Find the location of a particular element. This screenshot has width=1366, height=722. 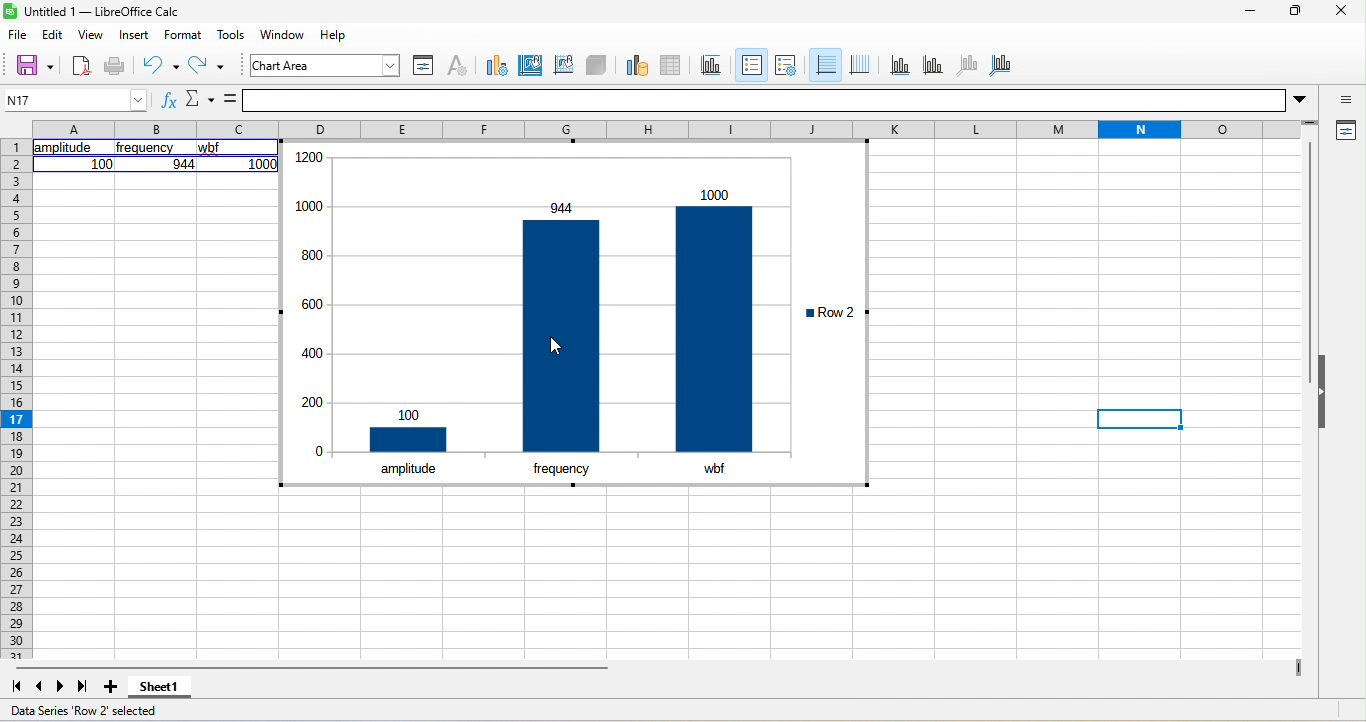

redo is located at coordinates (208, 66).